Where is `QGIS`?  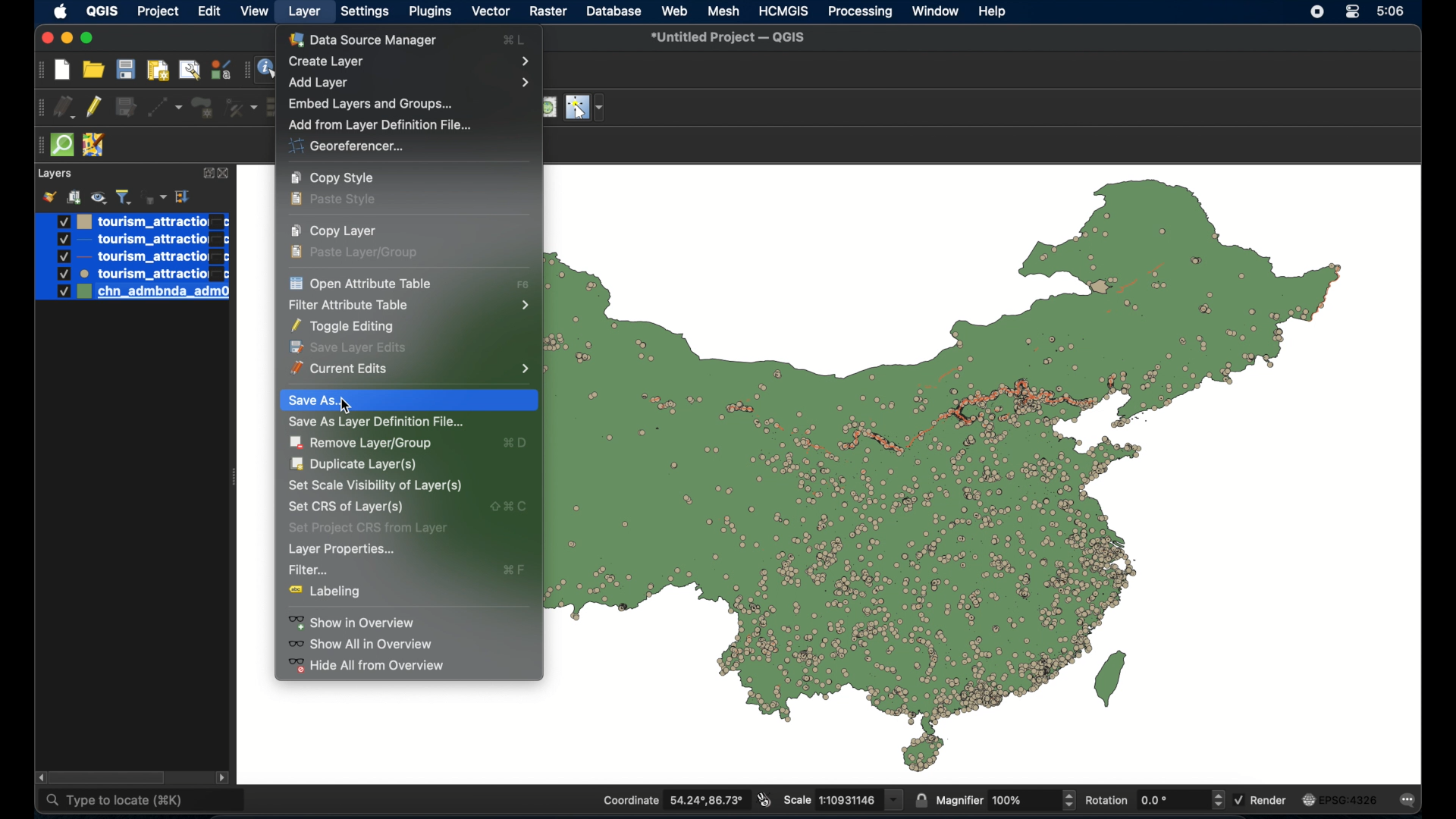
QGIS is located at coordinates (102, 11).